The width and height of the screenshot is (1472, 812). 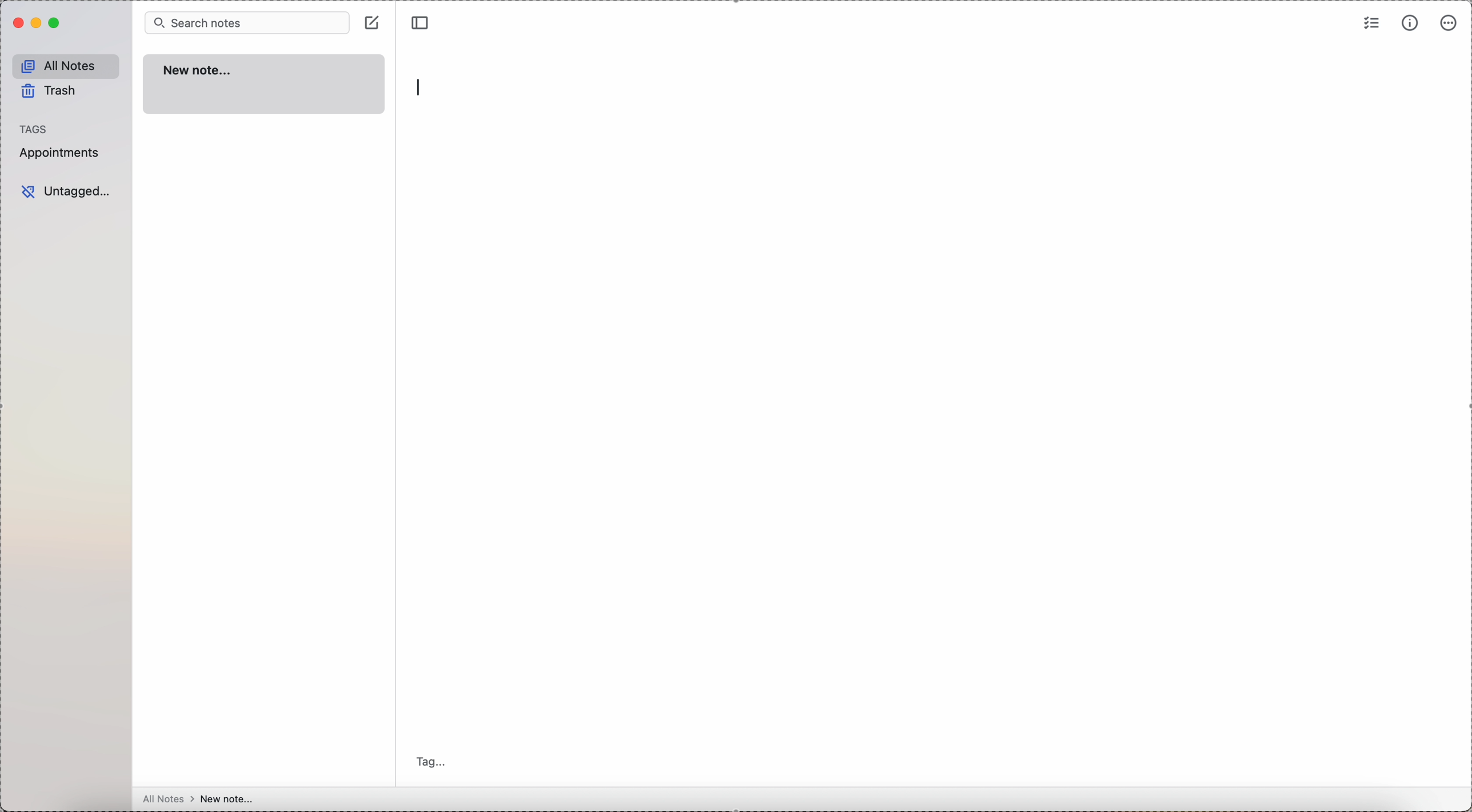 What do you see at coordinates (263, 85) in the screenshot?
I see `new note` at bounding box center [263, 85].